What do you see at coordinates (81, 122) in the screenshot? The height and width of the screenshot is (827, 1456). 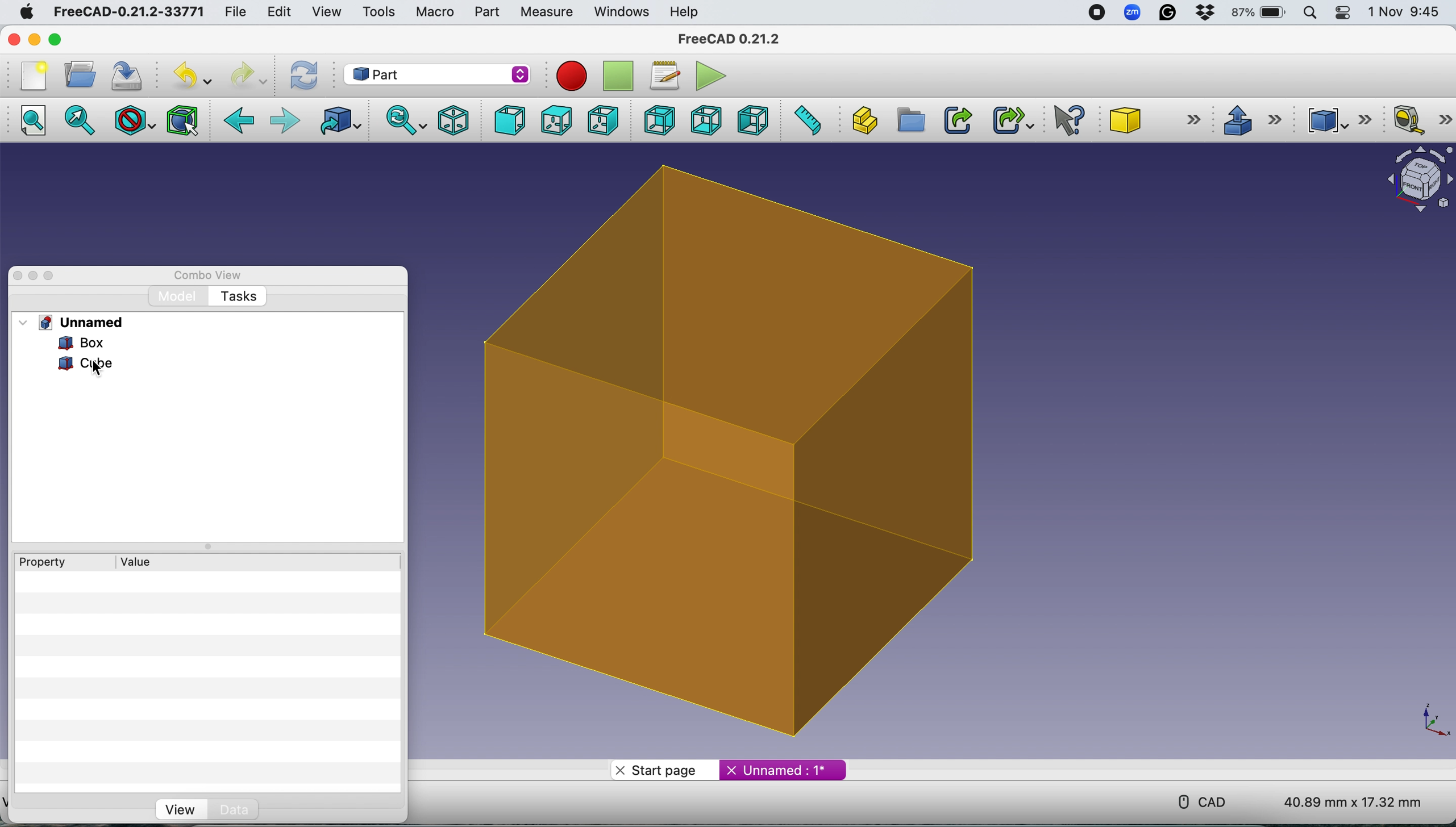 I see `Fit selection` at bounding box center [81, 122].